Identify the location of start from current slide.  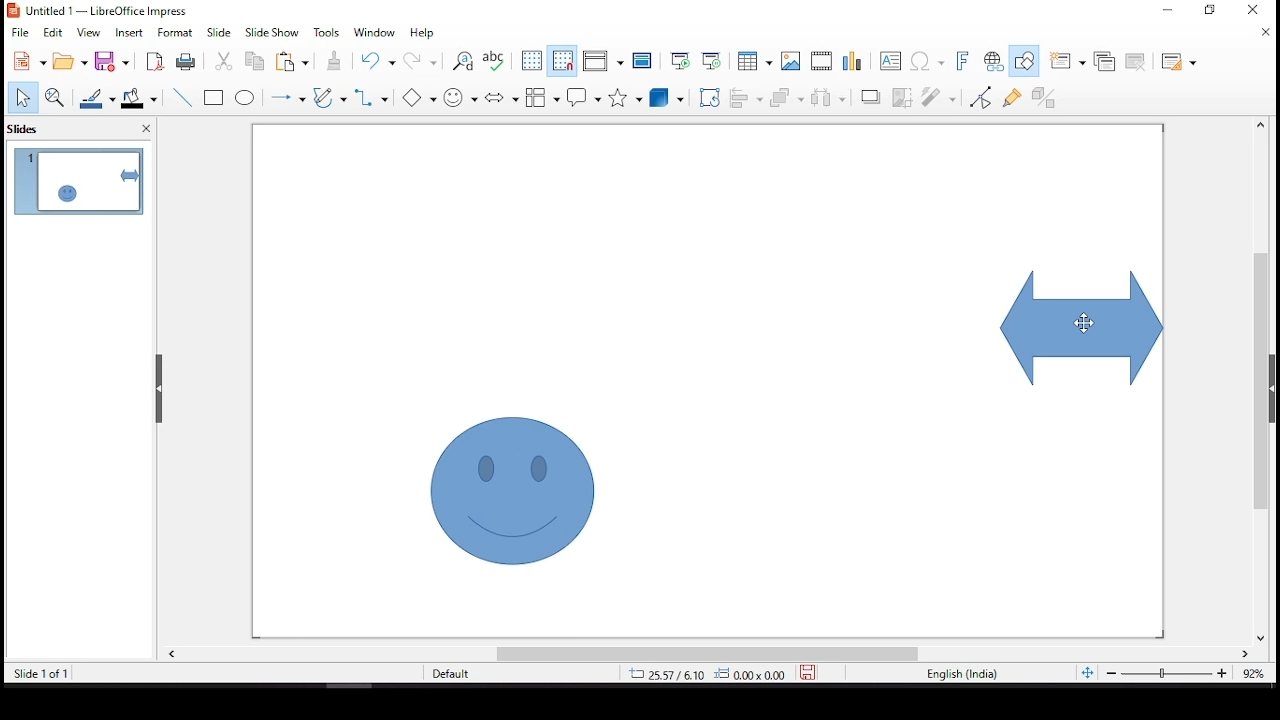
(711, 59).